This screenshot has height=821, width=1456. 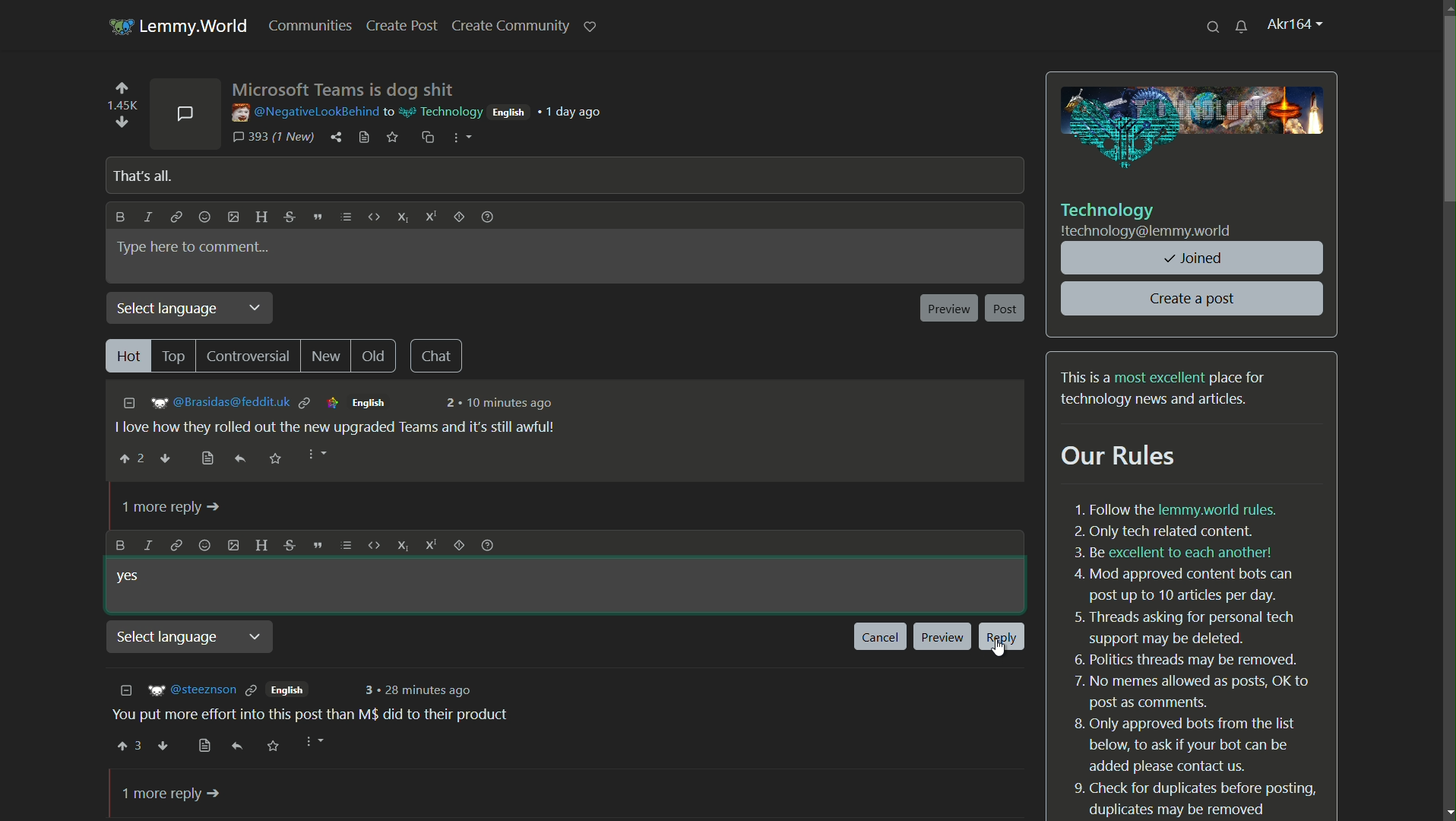 I want to click on old, so click(x=378, y=356).